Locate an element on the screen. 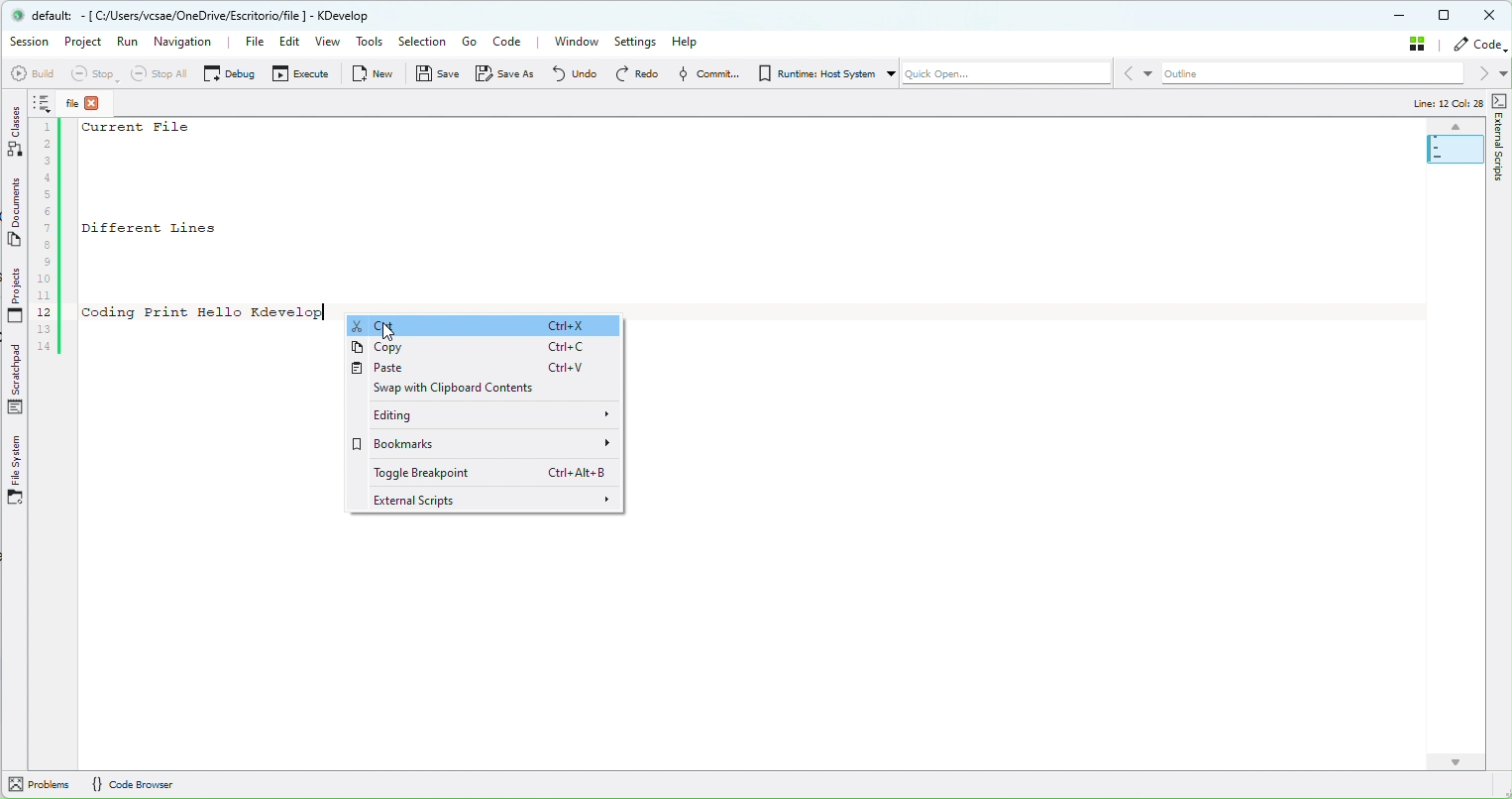  Cursor is located at coordinates (387, 331).